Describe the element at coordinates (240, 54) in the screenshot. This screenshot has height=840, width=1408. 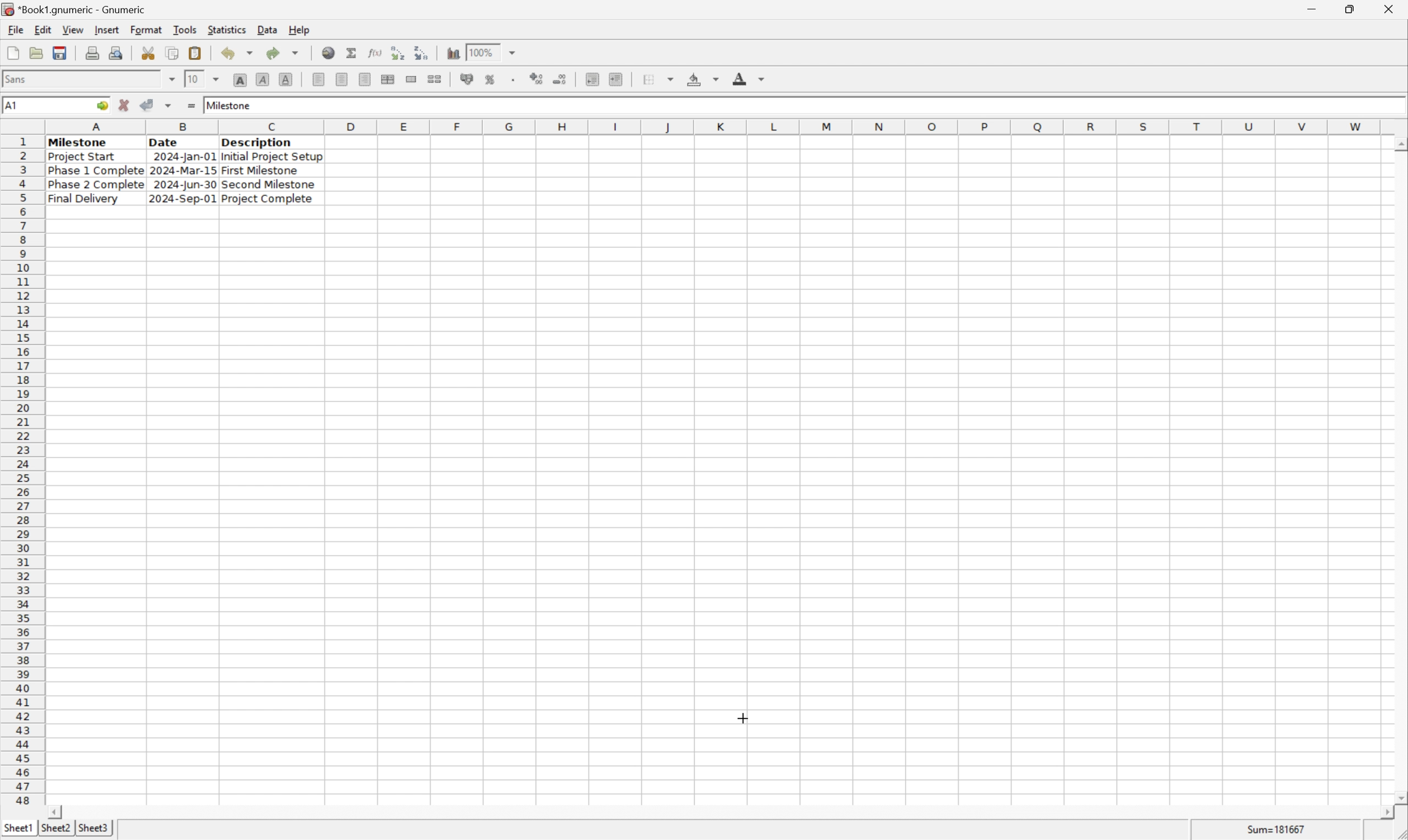
I see `undo` at that location.